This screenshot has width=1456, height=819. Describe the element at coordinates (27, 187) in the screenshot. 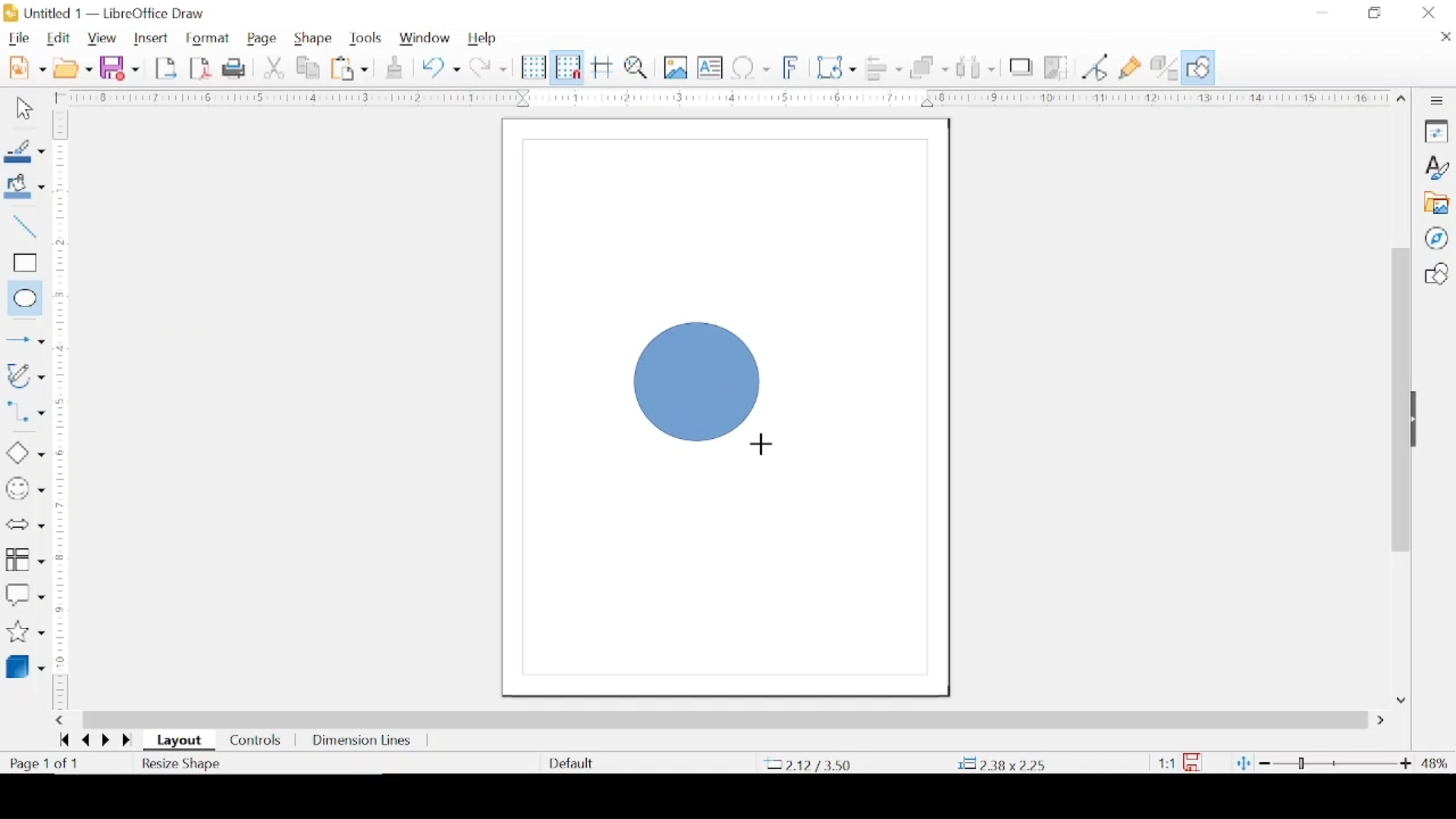

I see `fill color` at that location.